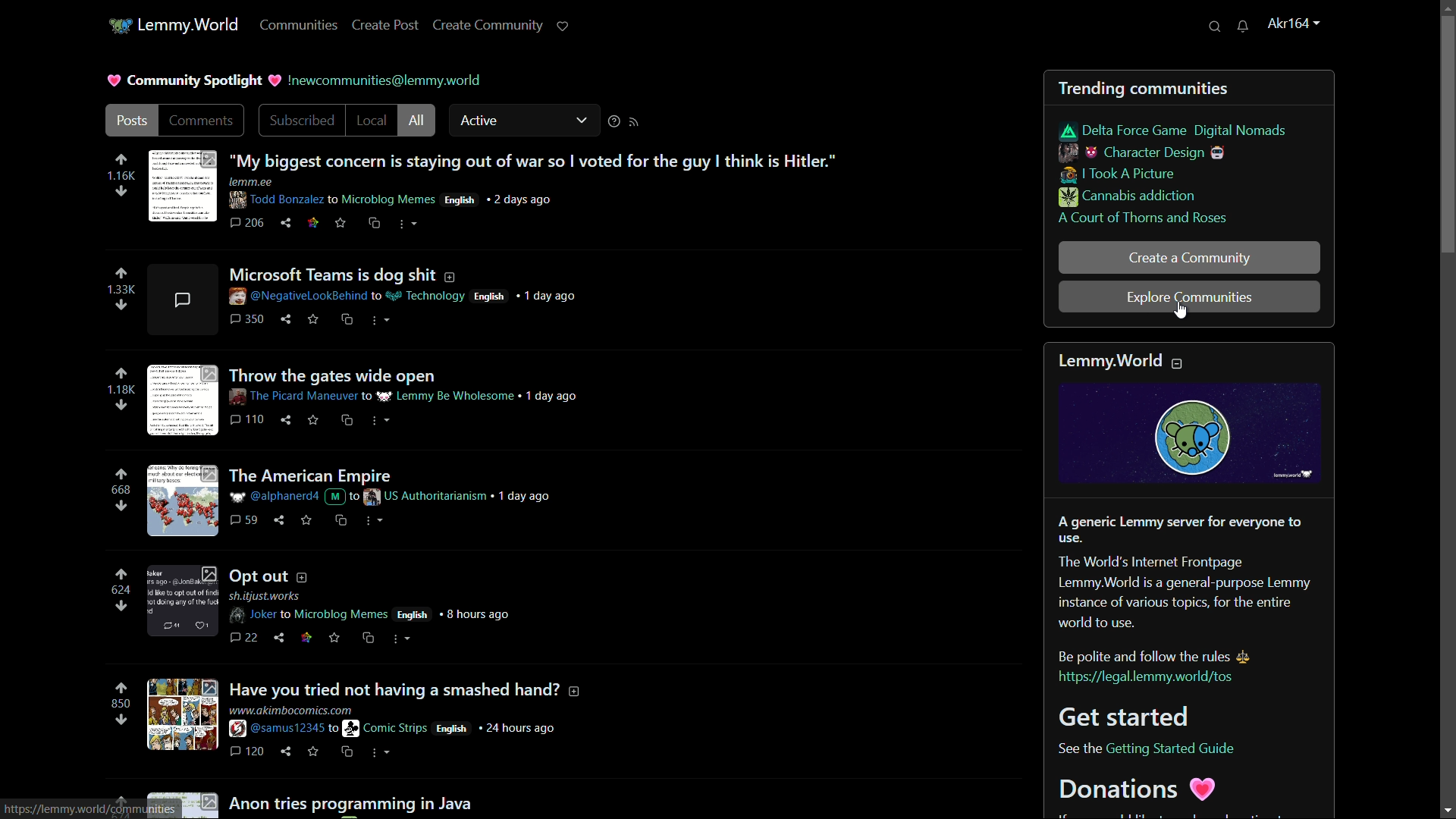  What do you see at coordinates (306, 632) in the screenshot?
I see `link` at bounding box center [306, 632].